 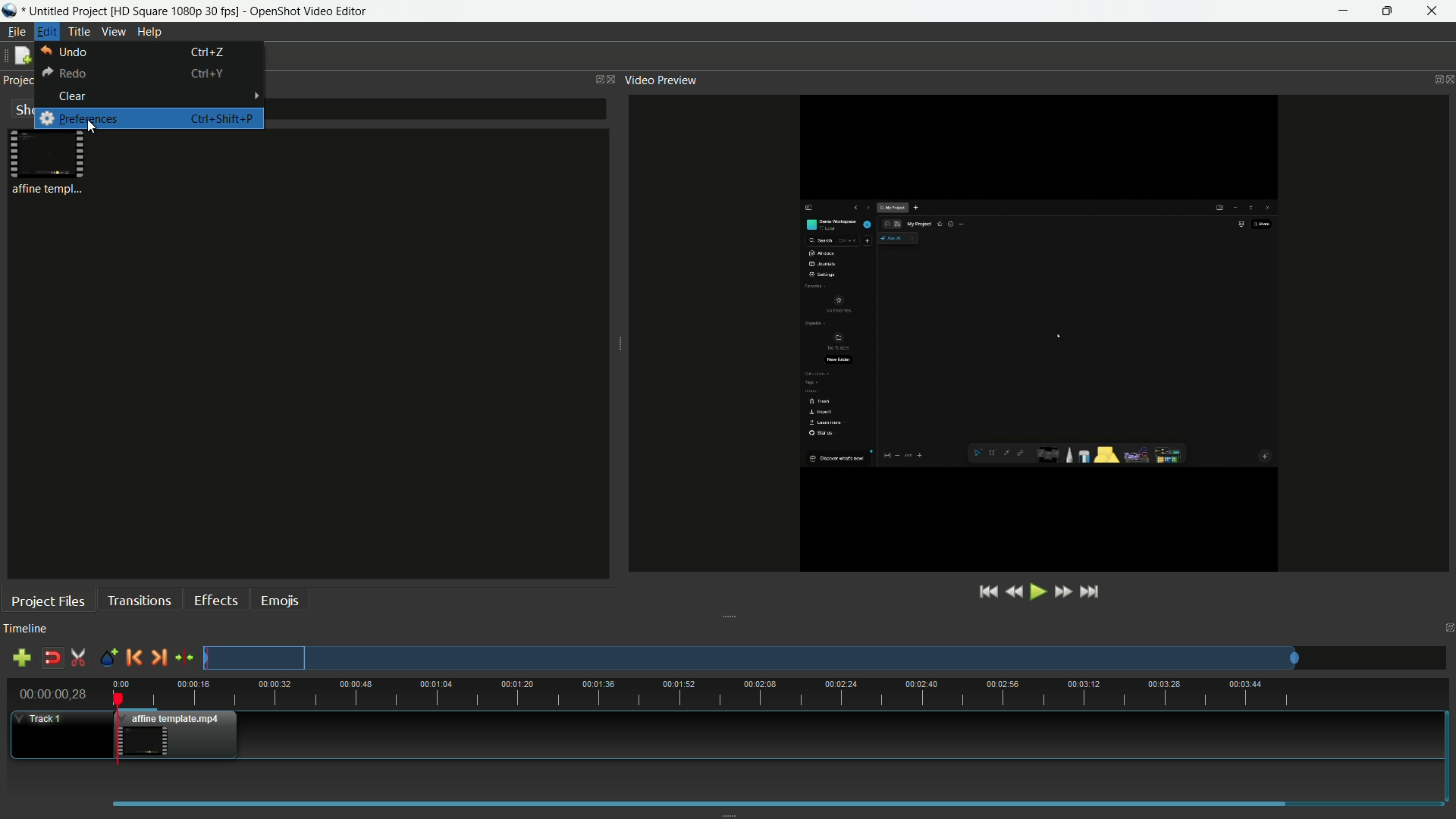 I want to click on rewind, so click(x=1014, y=592).